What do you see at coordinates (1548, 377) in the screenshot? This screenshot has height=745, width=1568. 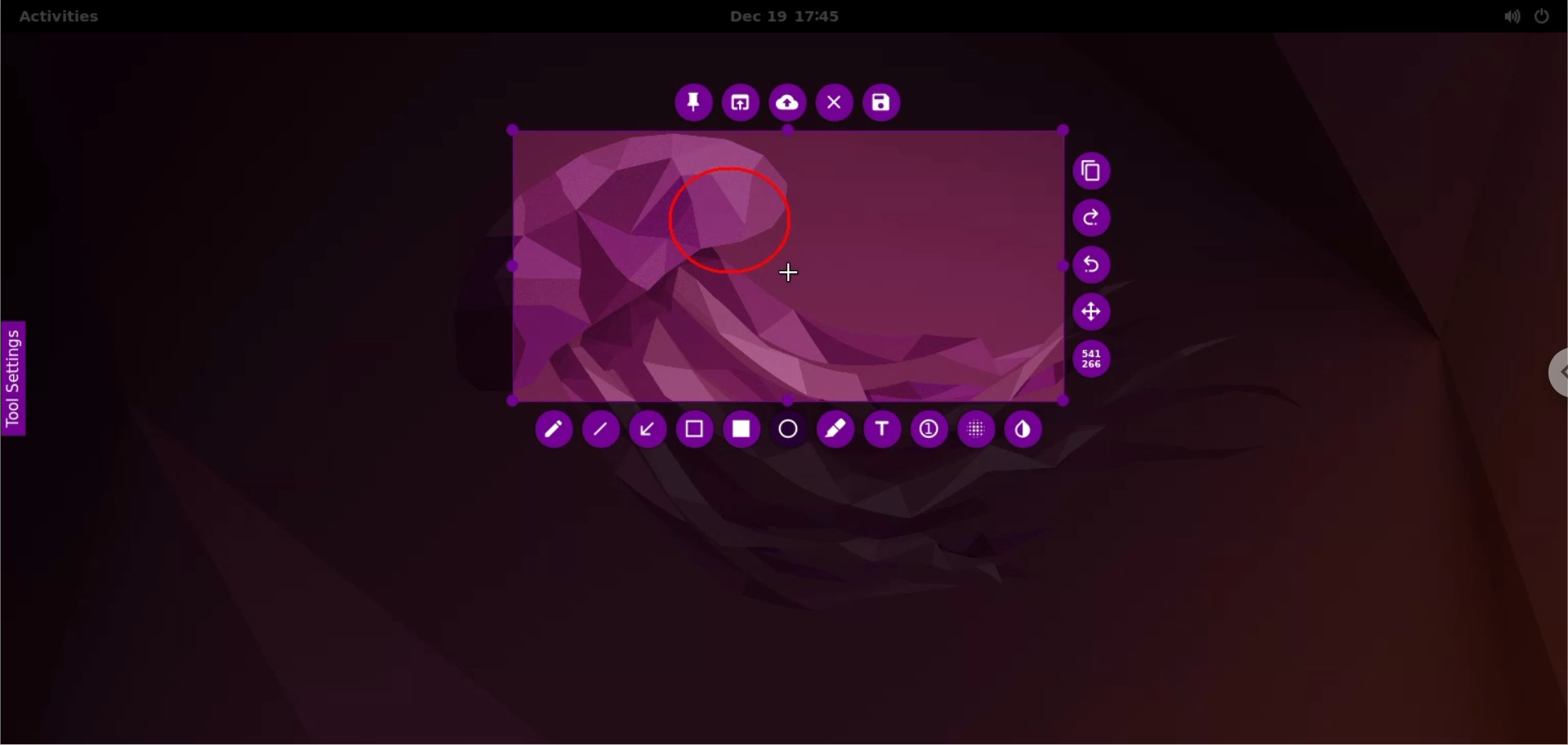 I see `chrome options` at bounding box center [1548, 377].